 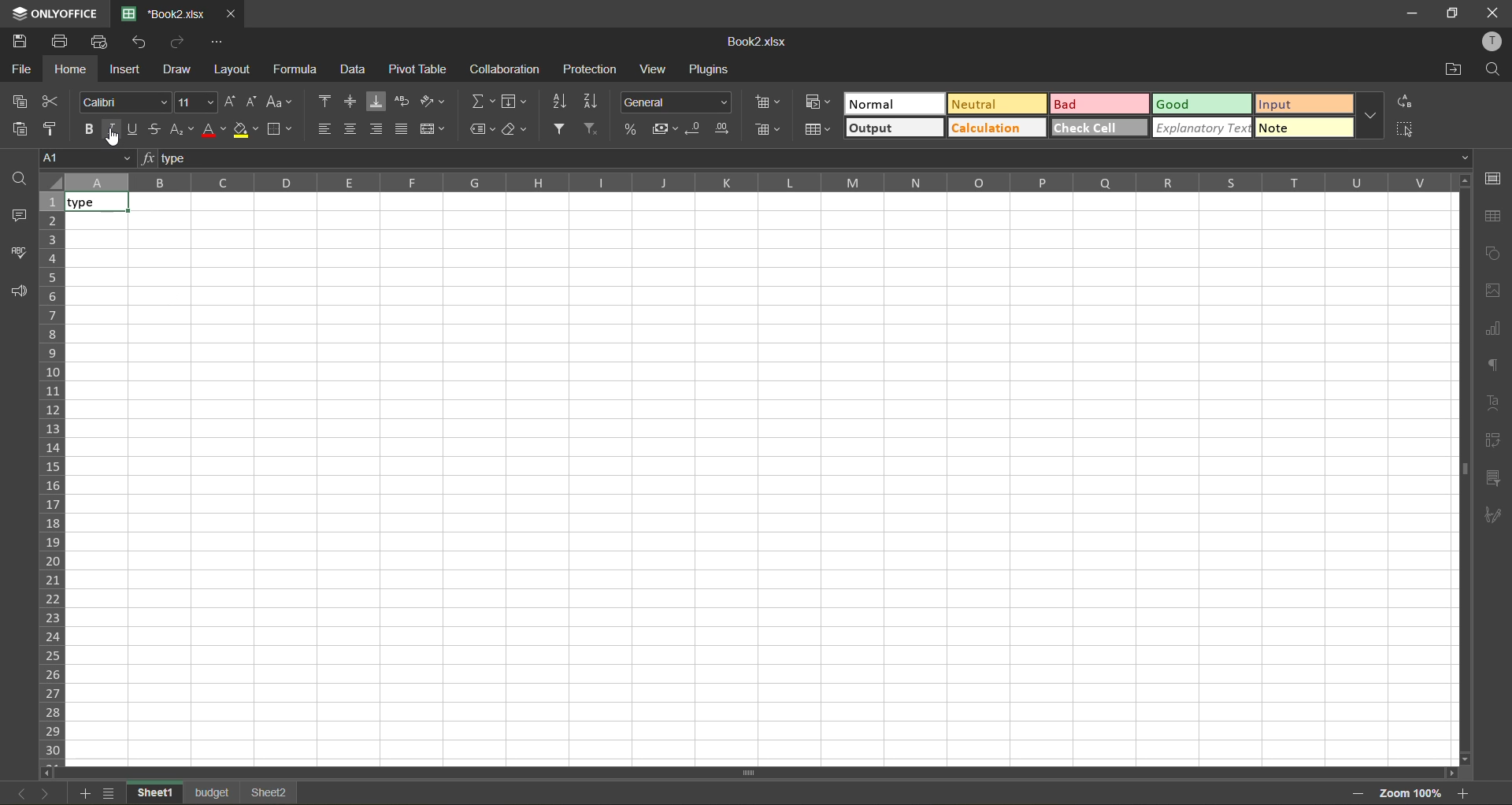 I want to click on layout, so click(x=234, y=72).